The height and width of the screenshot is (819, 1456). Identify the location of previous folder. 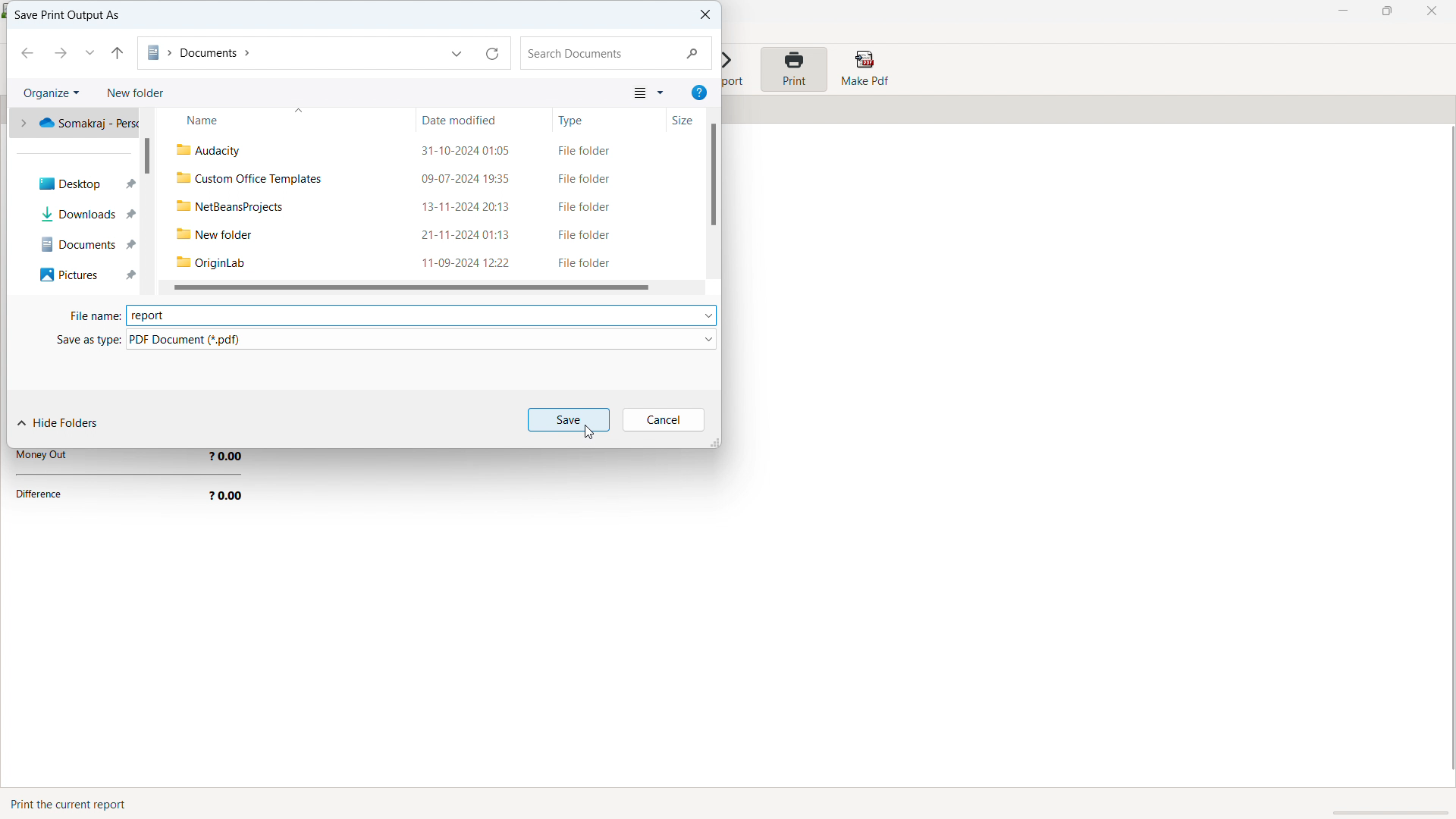
(26, 53).